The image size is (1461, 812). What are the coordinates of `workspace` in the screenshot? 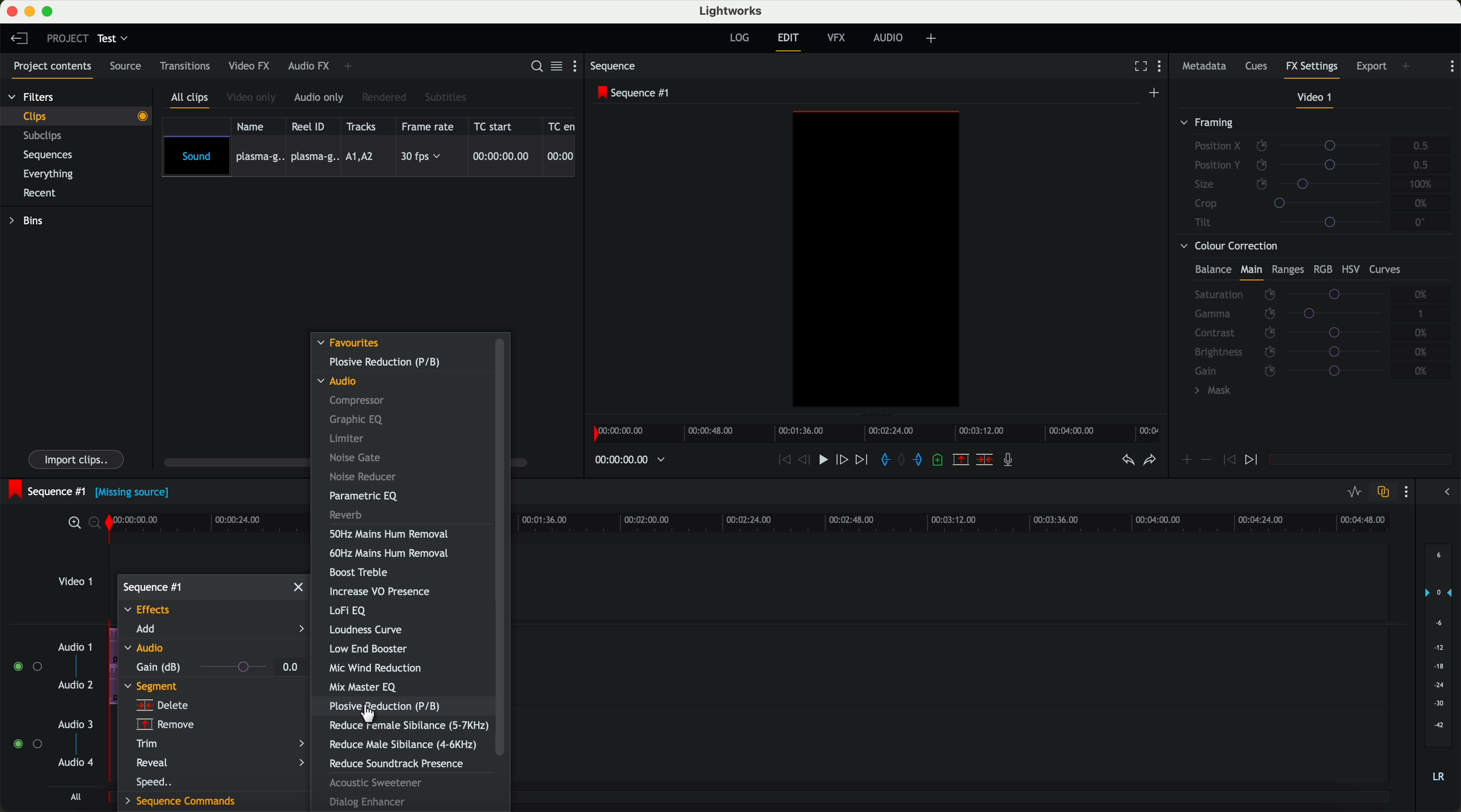 It's located at (876, 261).